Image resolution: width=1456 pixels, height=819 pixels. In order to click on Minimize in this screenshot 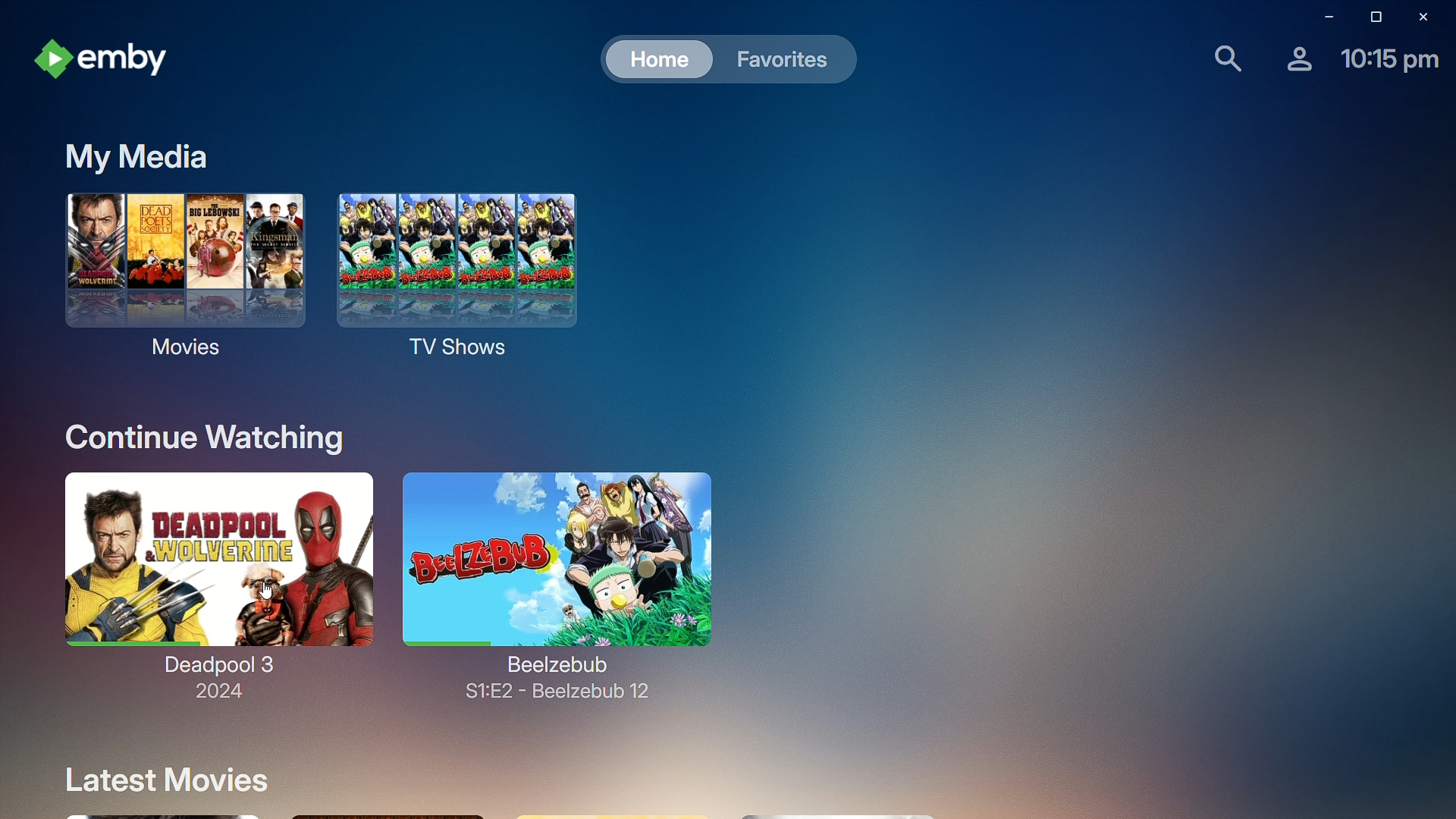, I will do `click(1319, 20)`.